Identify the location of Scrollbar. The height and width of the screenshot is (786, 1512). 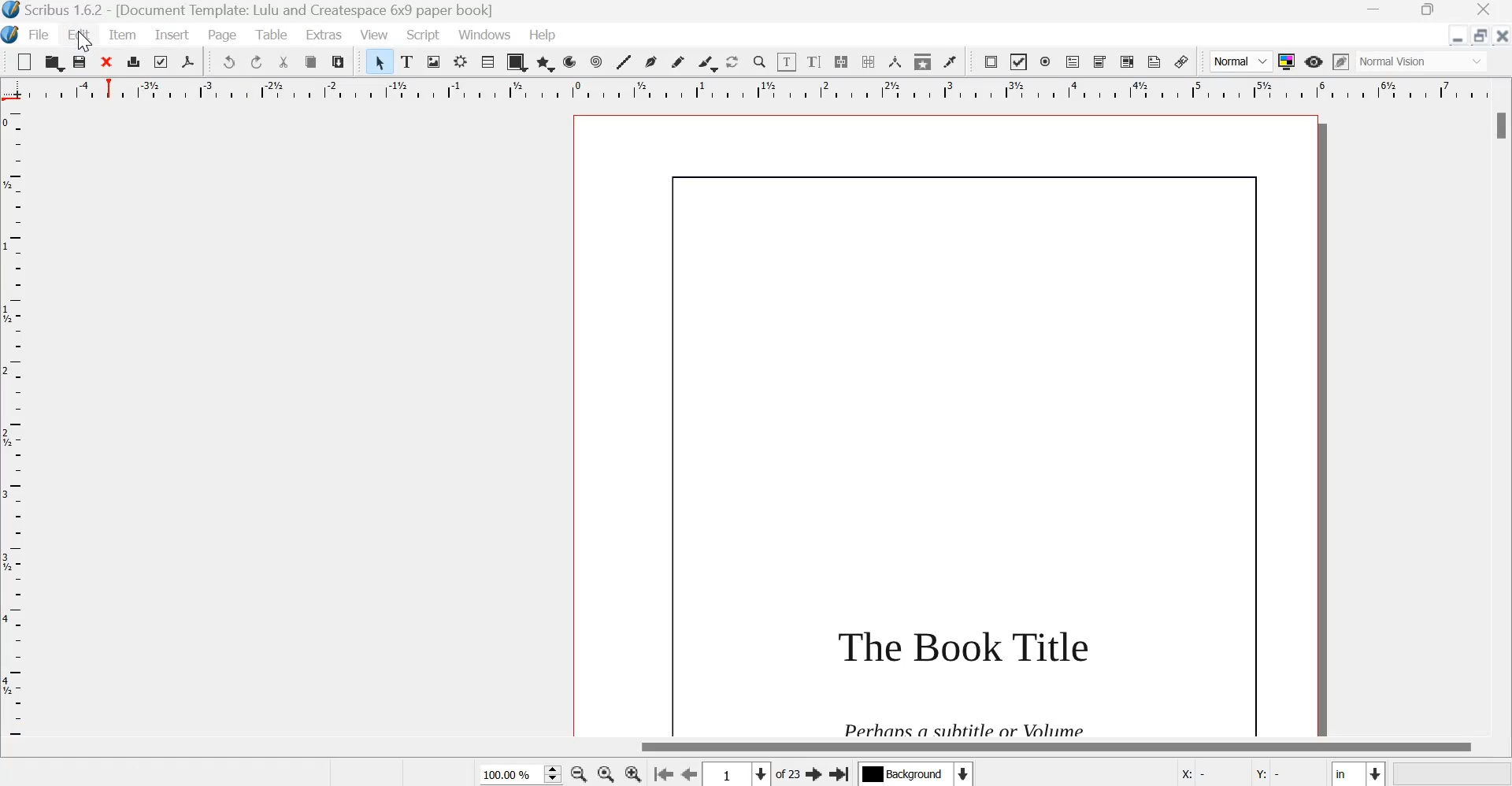
(1503, 126).